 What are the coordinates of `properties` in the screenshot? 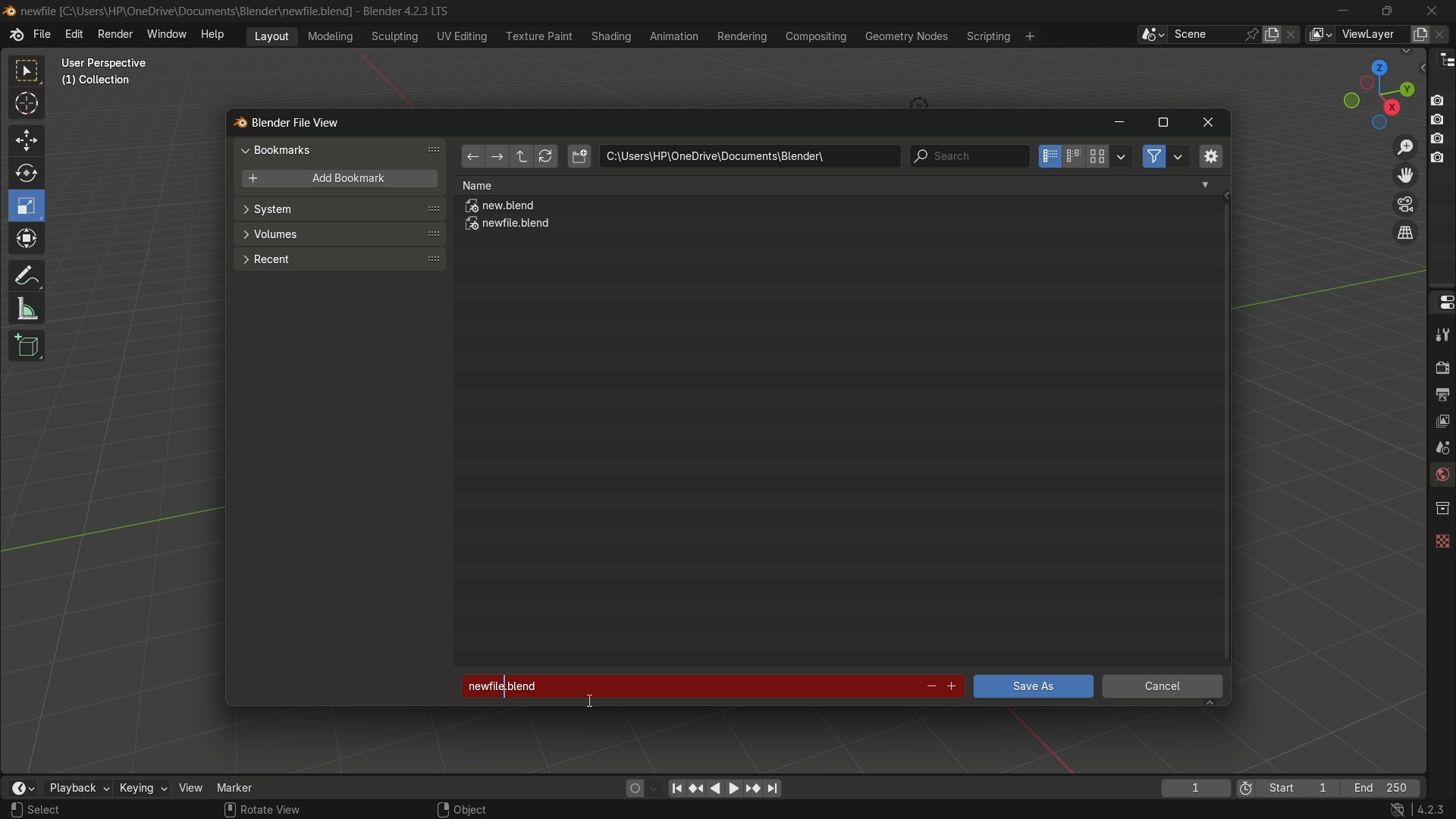 It's located at (1441, 301).